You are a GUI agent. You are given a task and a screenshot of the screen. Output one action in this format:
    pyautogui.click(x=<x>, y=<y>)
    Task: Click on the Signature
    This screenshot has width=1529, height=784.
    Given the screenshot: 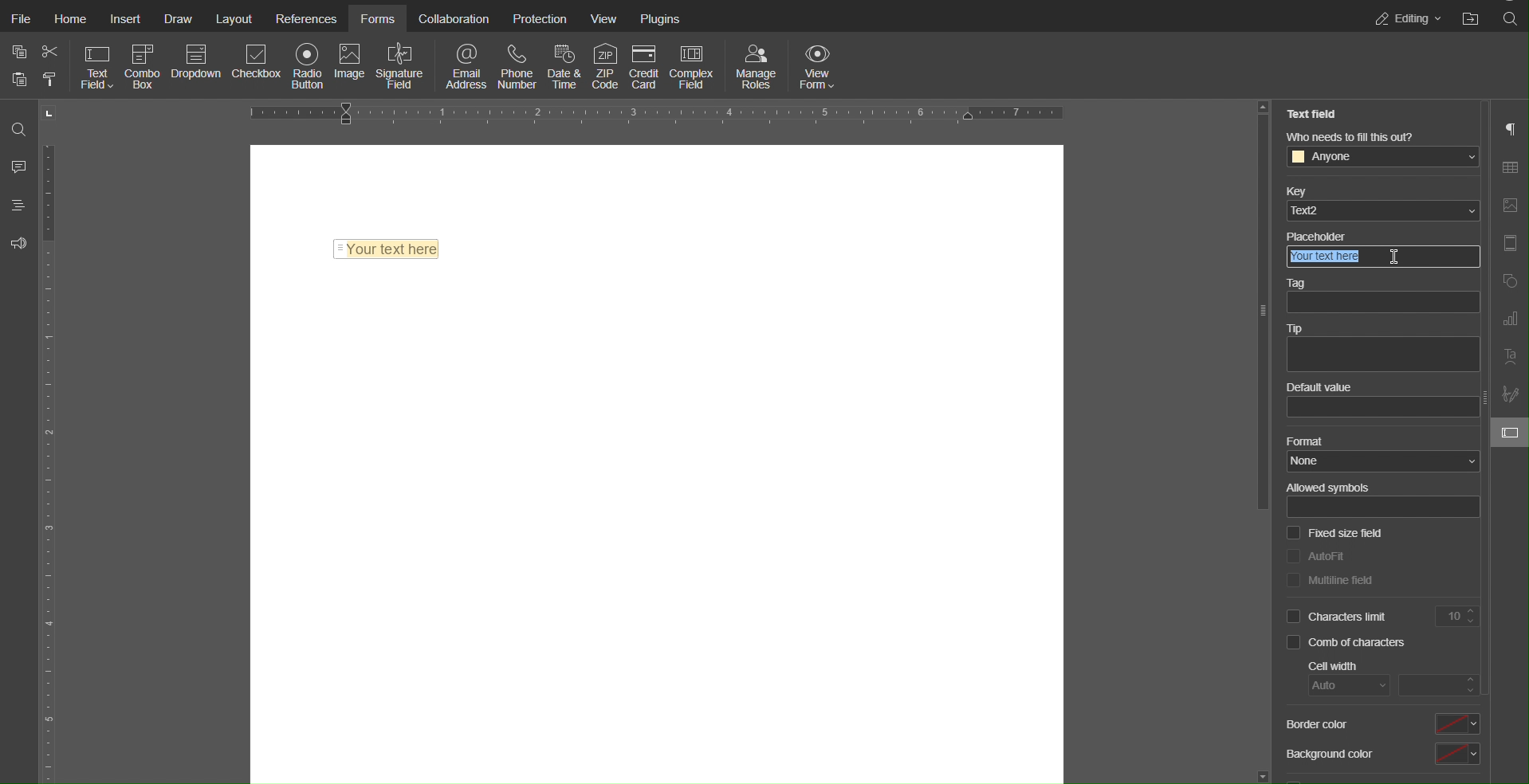 What is the action you would take?
    pyautogui.click(x=1508, y=394)
    